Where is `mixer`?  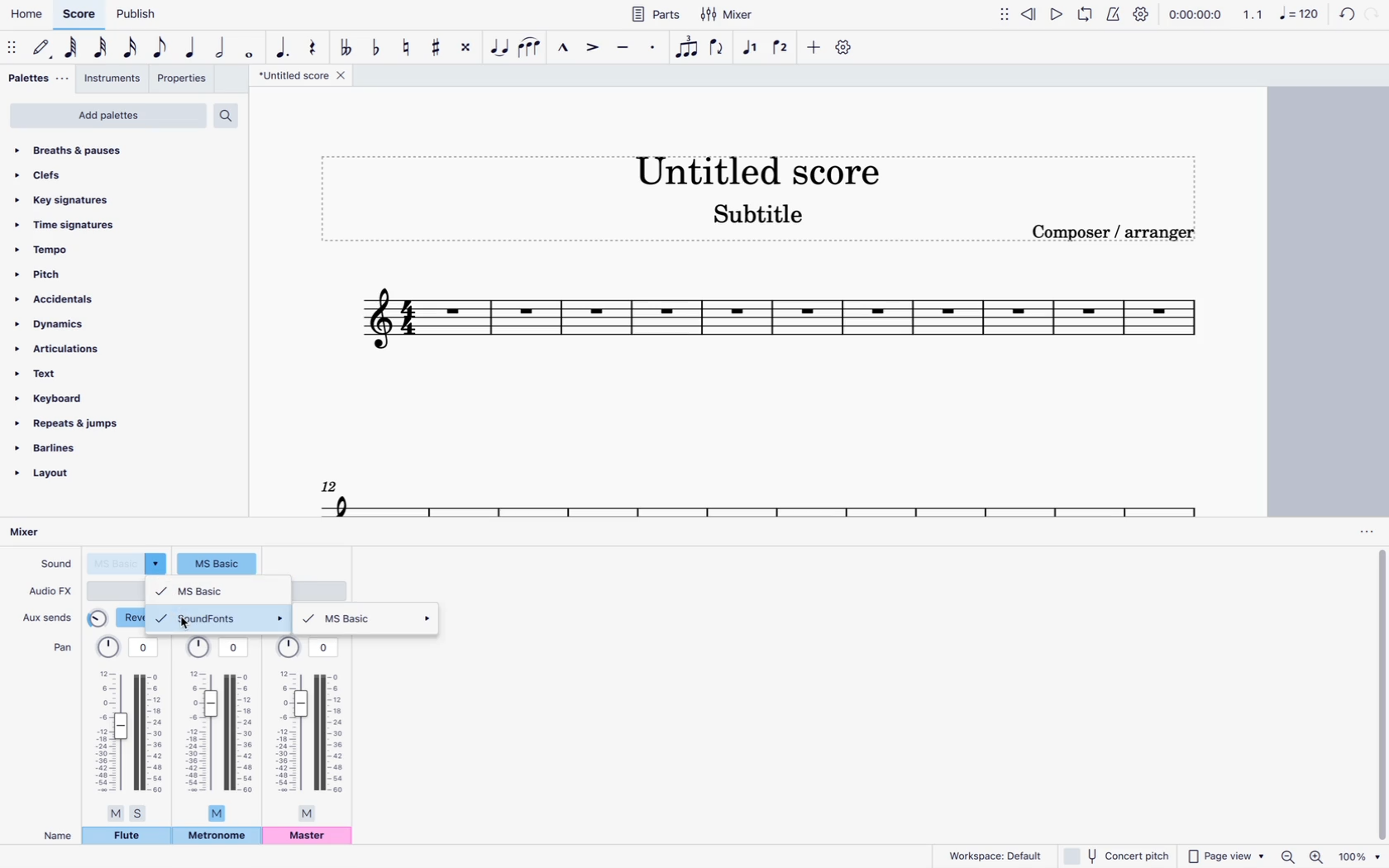 mixer is located at coordinates (731, 14).